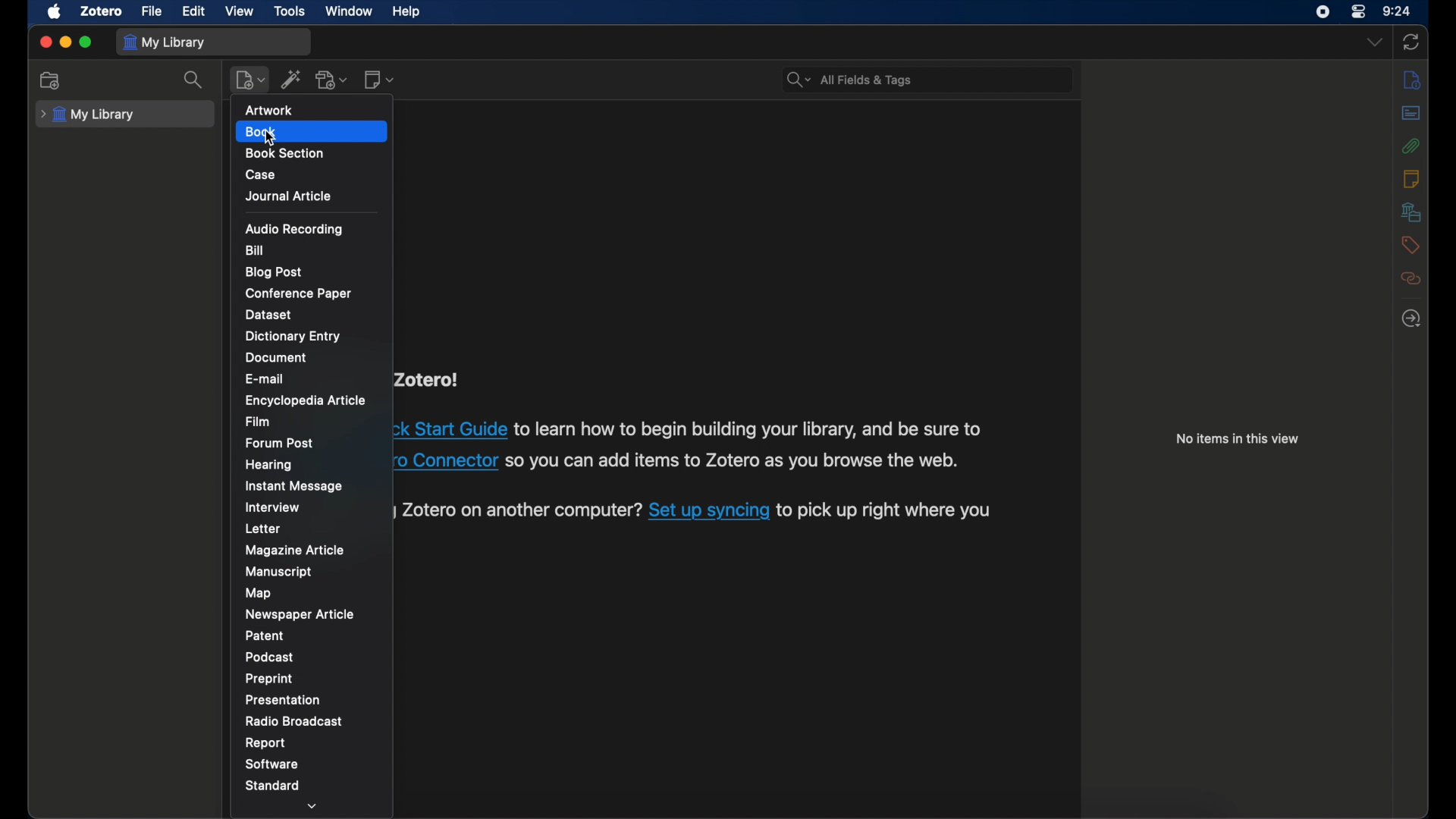 The width and height of the screenshot is (1456, 819). I want to click on letter, so click(264, 529).